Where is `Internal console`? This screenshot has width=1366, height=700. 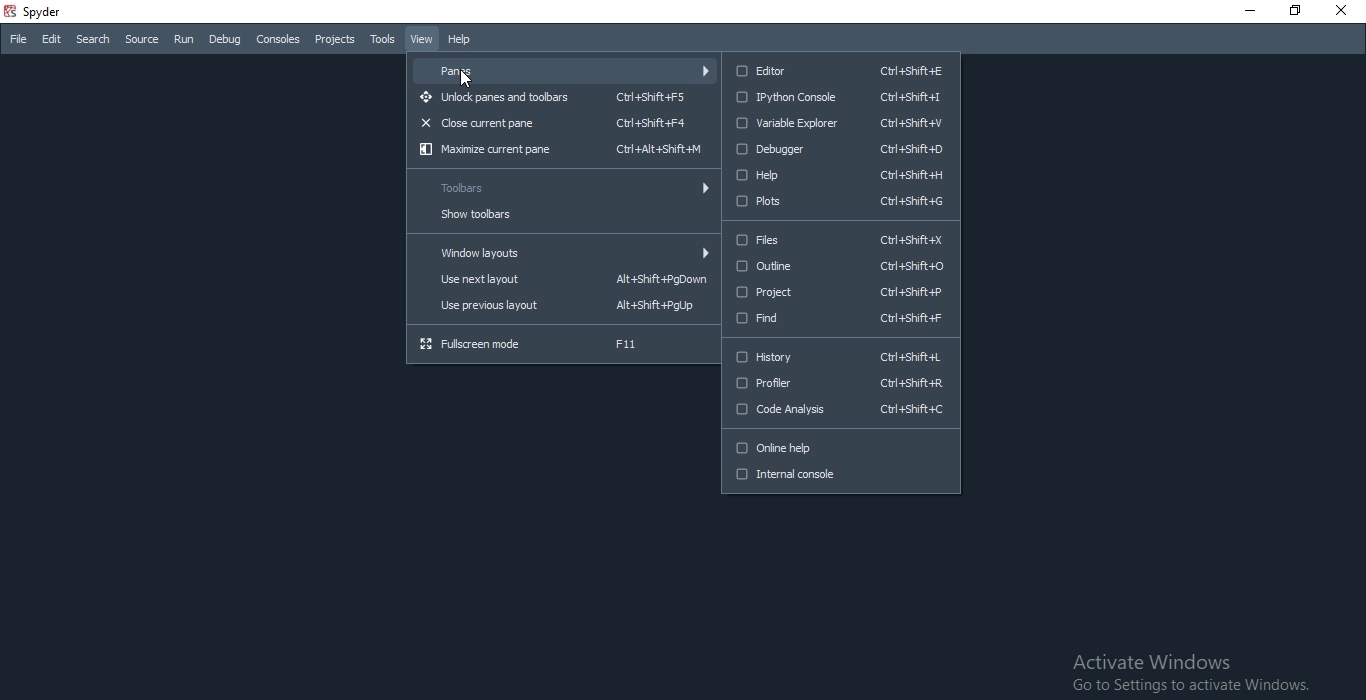 Internal console is located at coordinates (840, 479).